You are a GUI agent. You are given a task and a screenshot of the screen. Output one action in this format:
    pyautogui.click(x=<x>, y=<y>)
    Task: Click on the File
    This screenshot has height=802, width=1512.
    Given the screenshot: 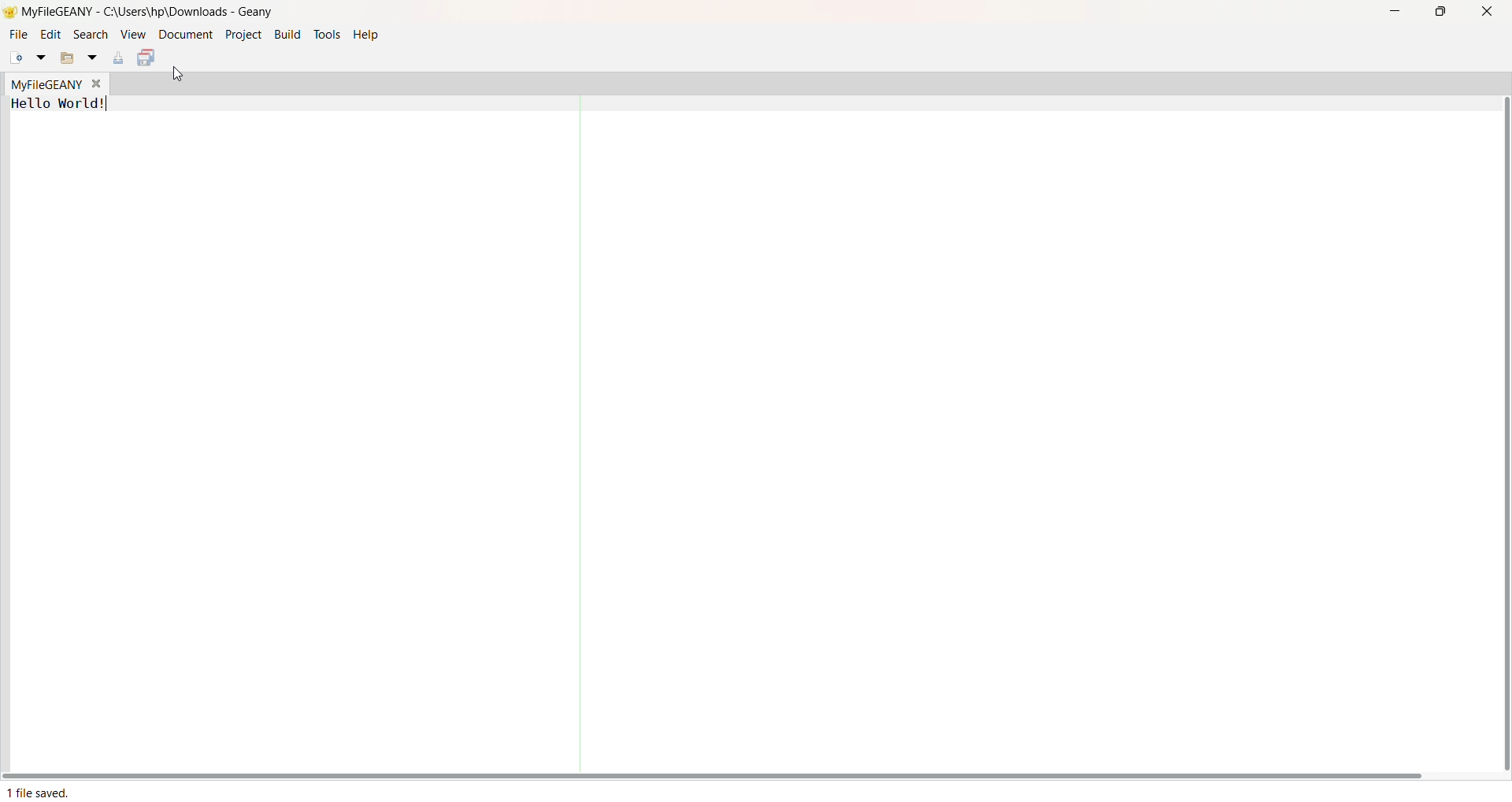 What is the action you would take?
    pyautogui.click(x=18, y=36)
    